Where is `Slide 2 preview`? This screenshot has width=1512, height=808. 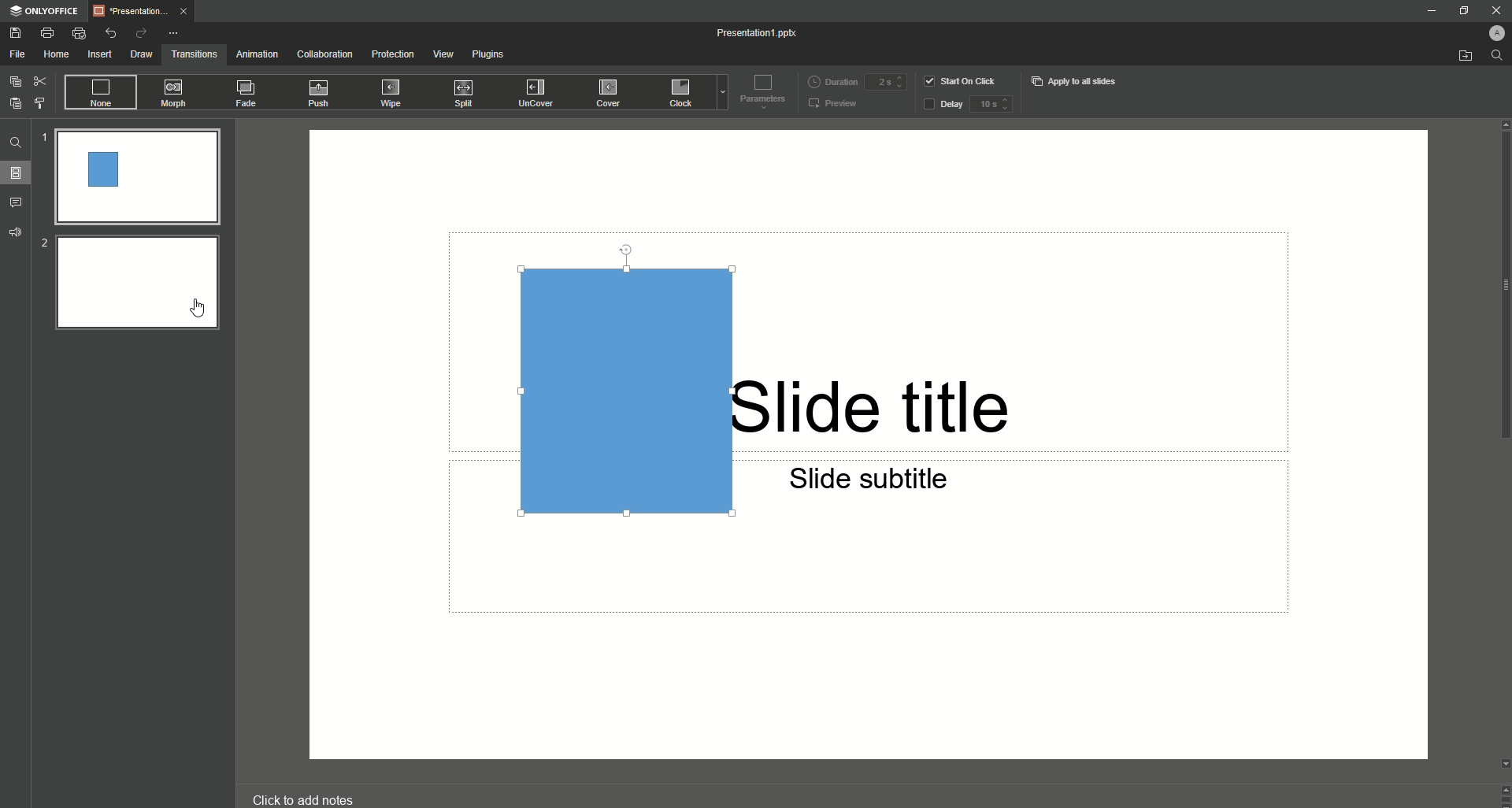
Slide 2 preview is located at coordinates (137, 285).